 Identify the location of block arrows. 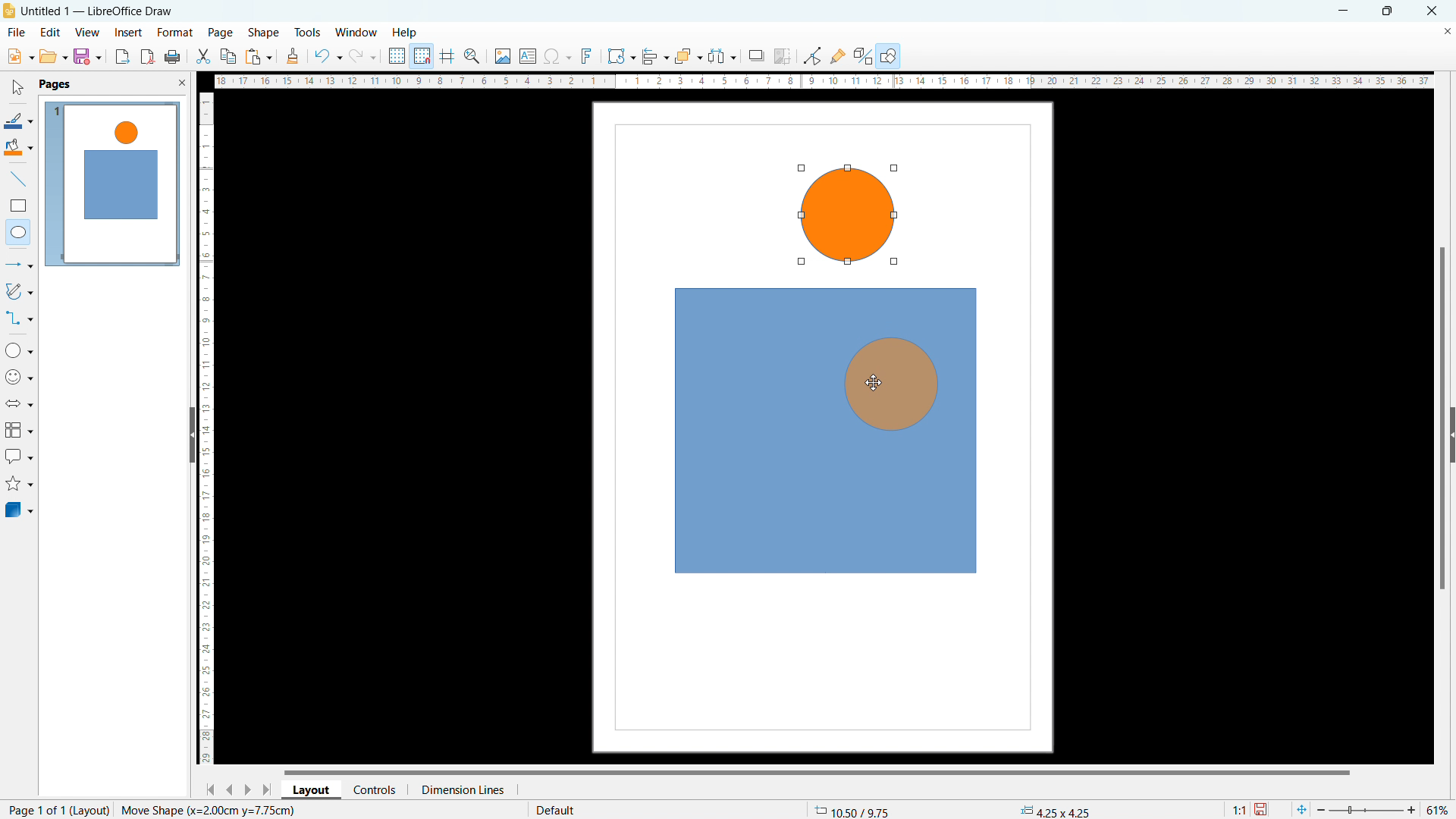
(20, 403).